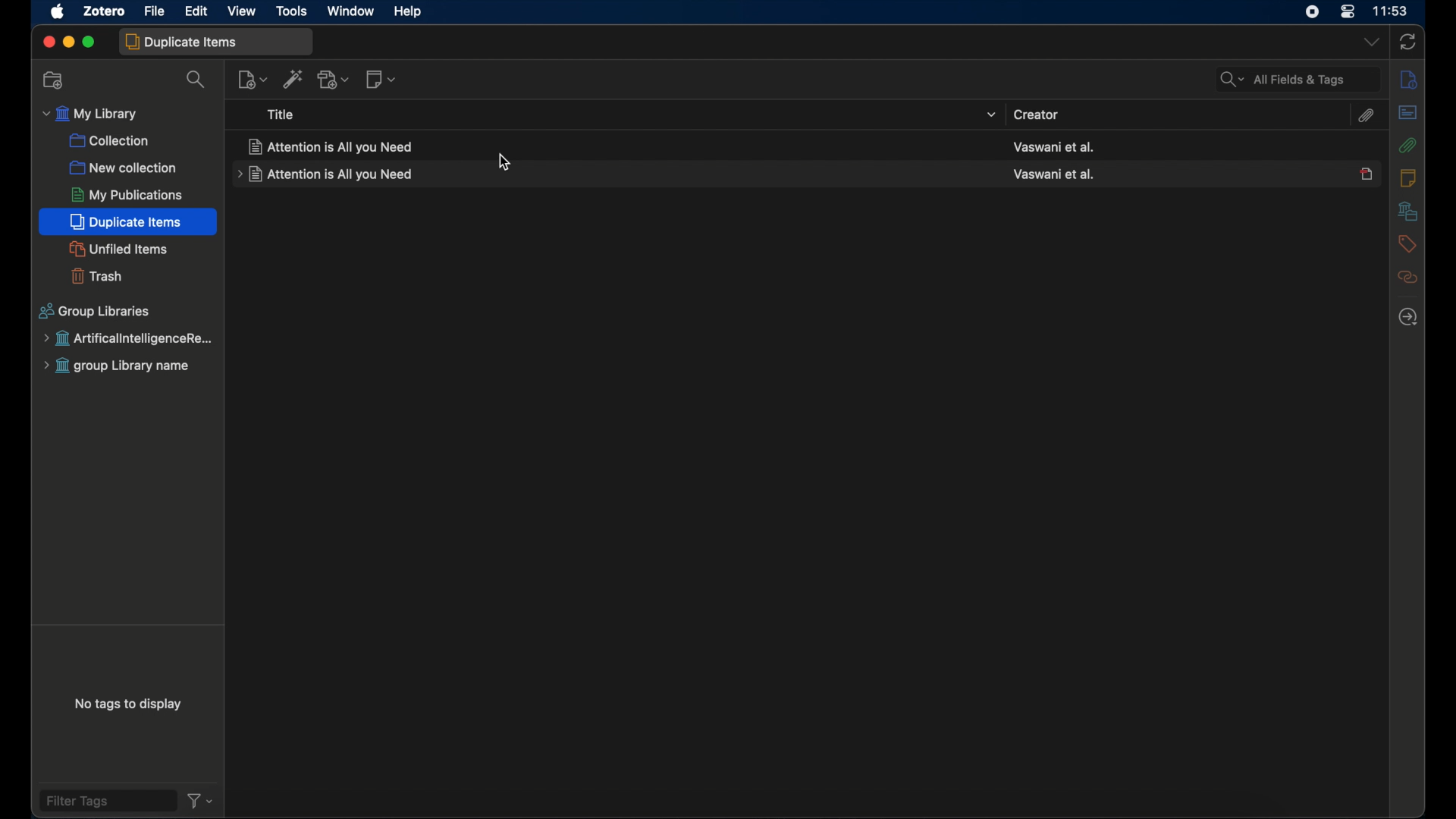 This screenshot has height=819, width=1456. Describe the element at coordinates (200, 802) in the screenshot. I see `filter` at that location.